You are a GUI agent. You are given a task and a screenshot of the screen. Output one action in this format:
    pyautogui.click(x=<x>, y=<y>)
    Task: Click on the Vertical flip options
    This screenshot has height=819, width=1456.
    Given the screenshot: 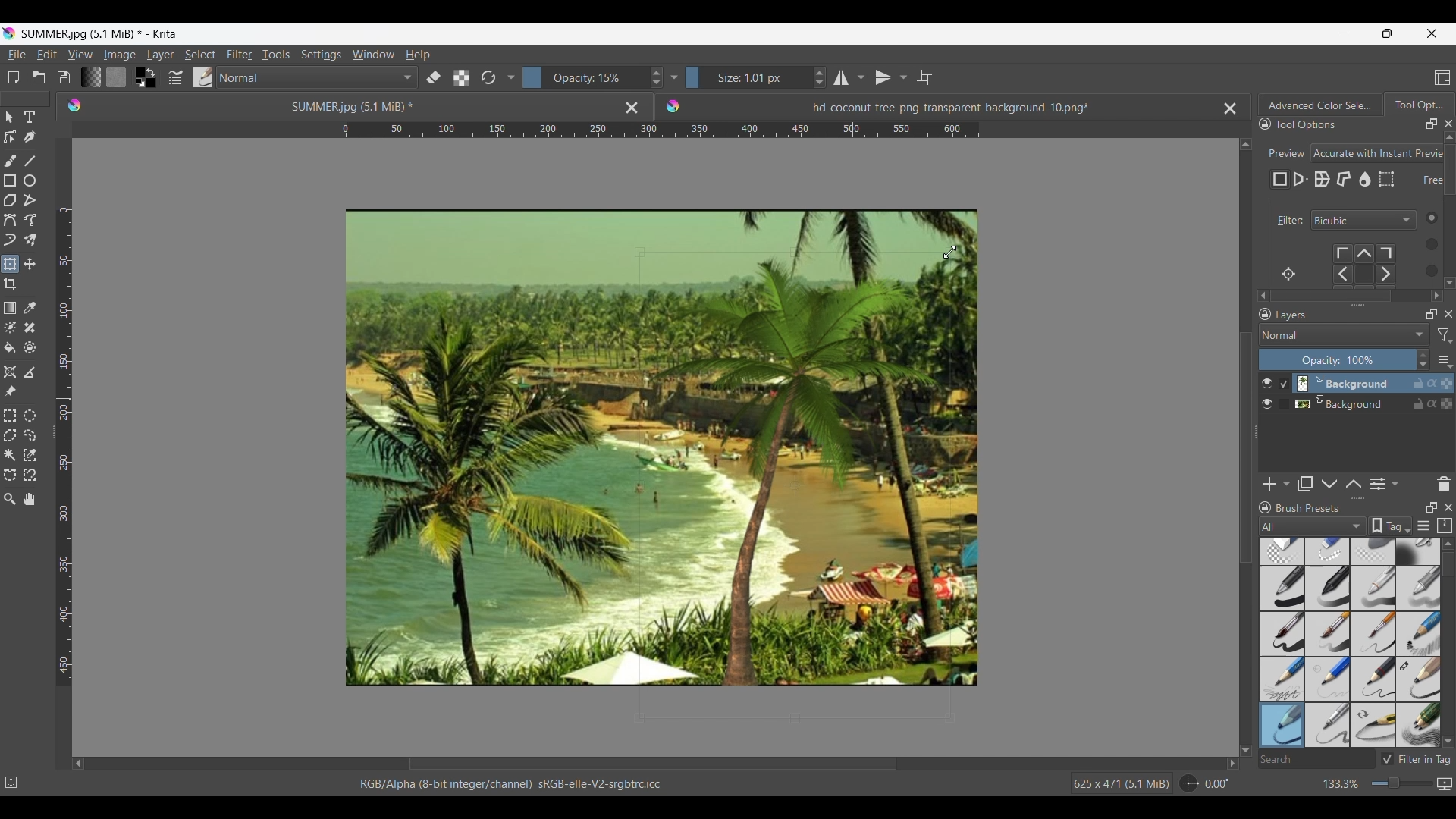 What is the action you would take?
    pyautogui.click(x=902, y=77)
    